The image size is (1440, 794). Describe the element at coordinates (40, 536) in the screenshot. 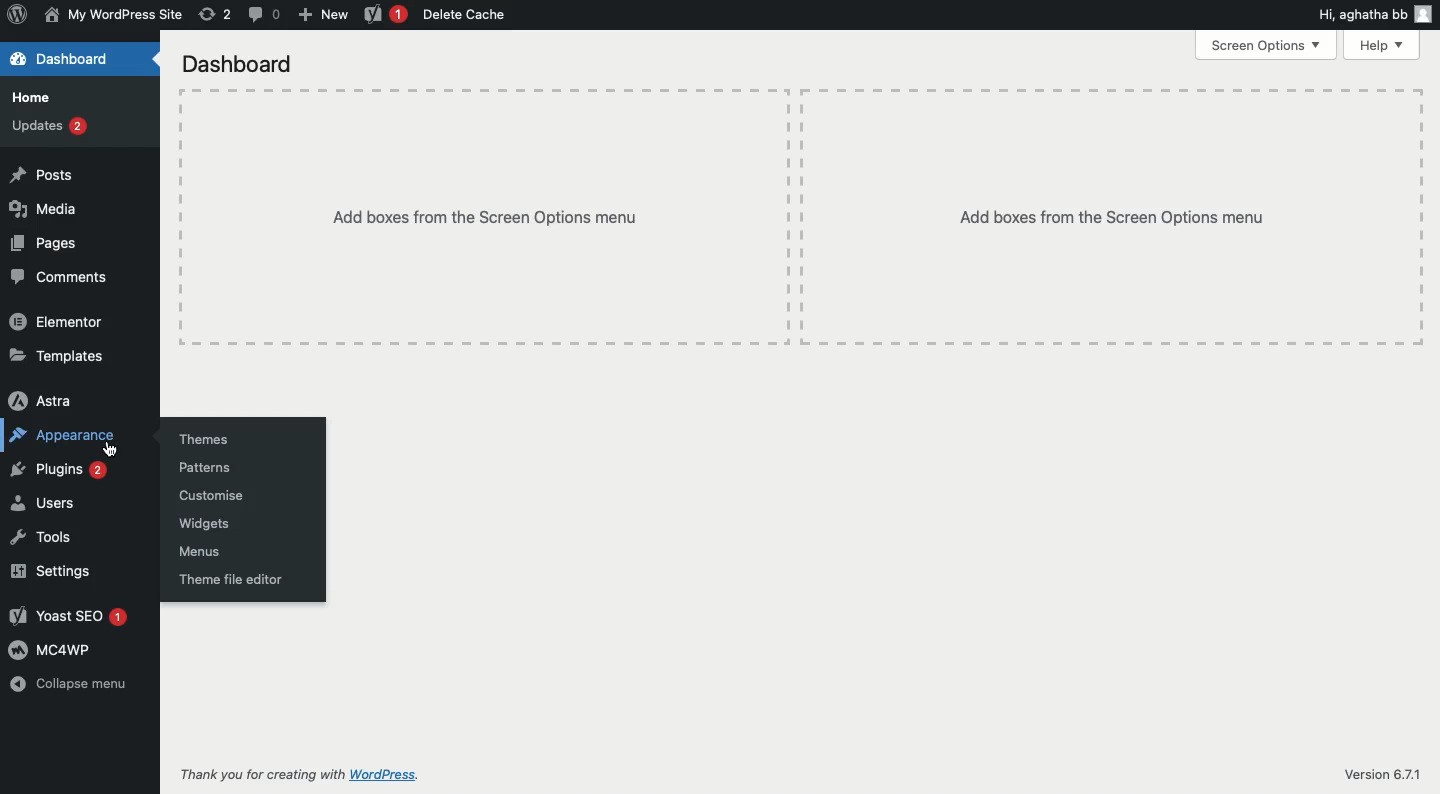

I see `Tools` at that location.